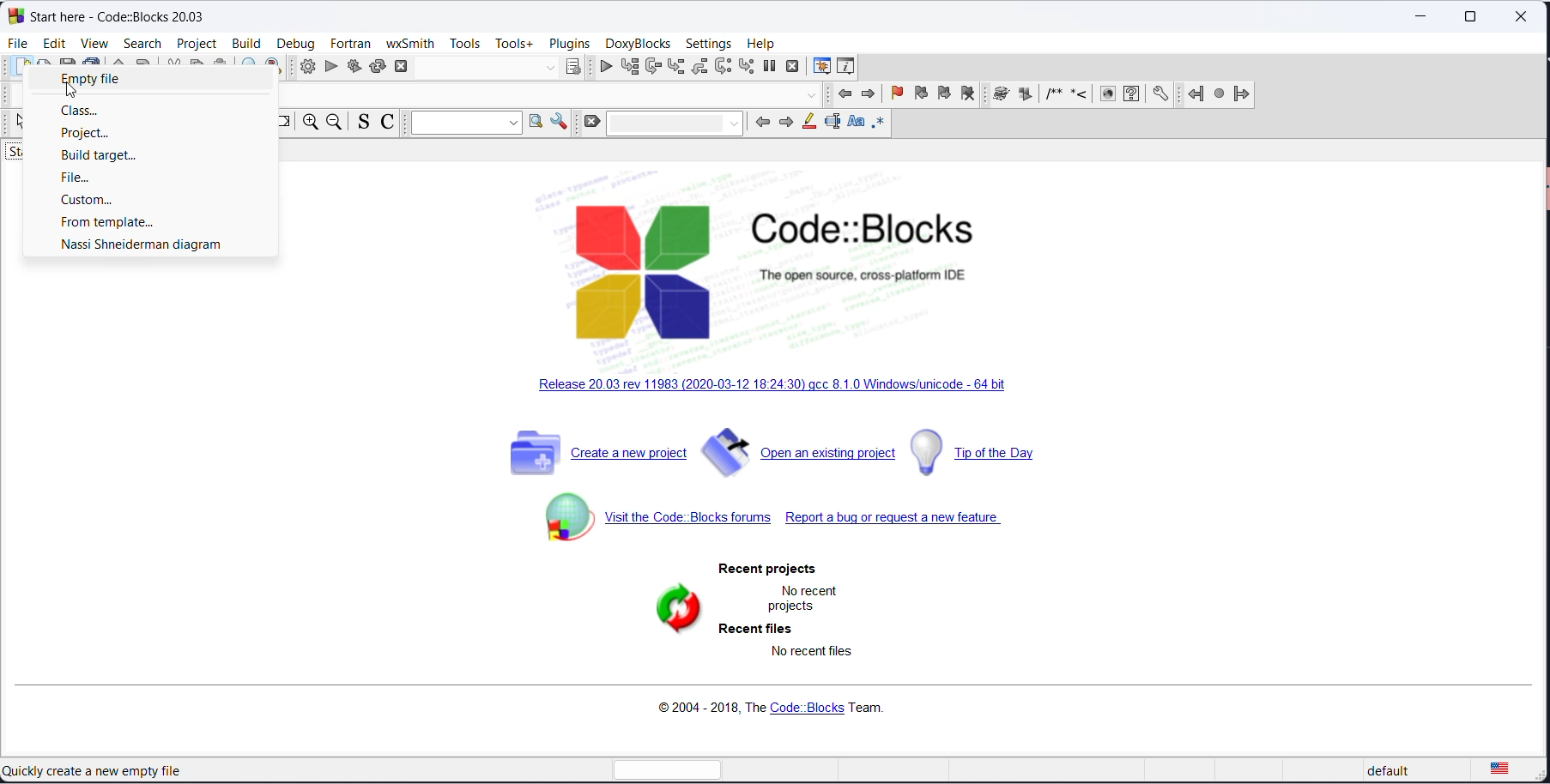 The image size is (1550, 784). What do you see at coordinates (304, 69) in the screenshot?
I see `build` at bounding box center [304, 69].